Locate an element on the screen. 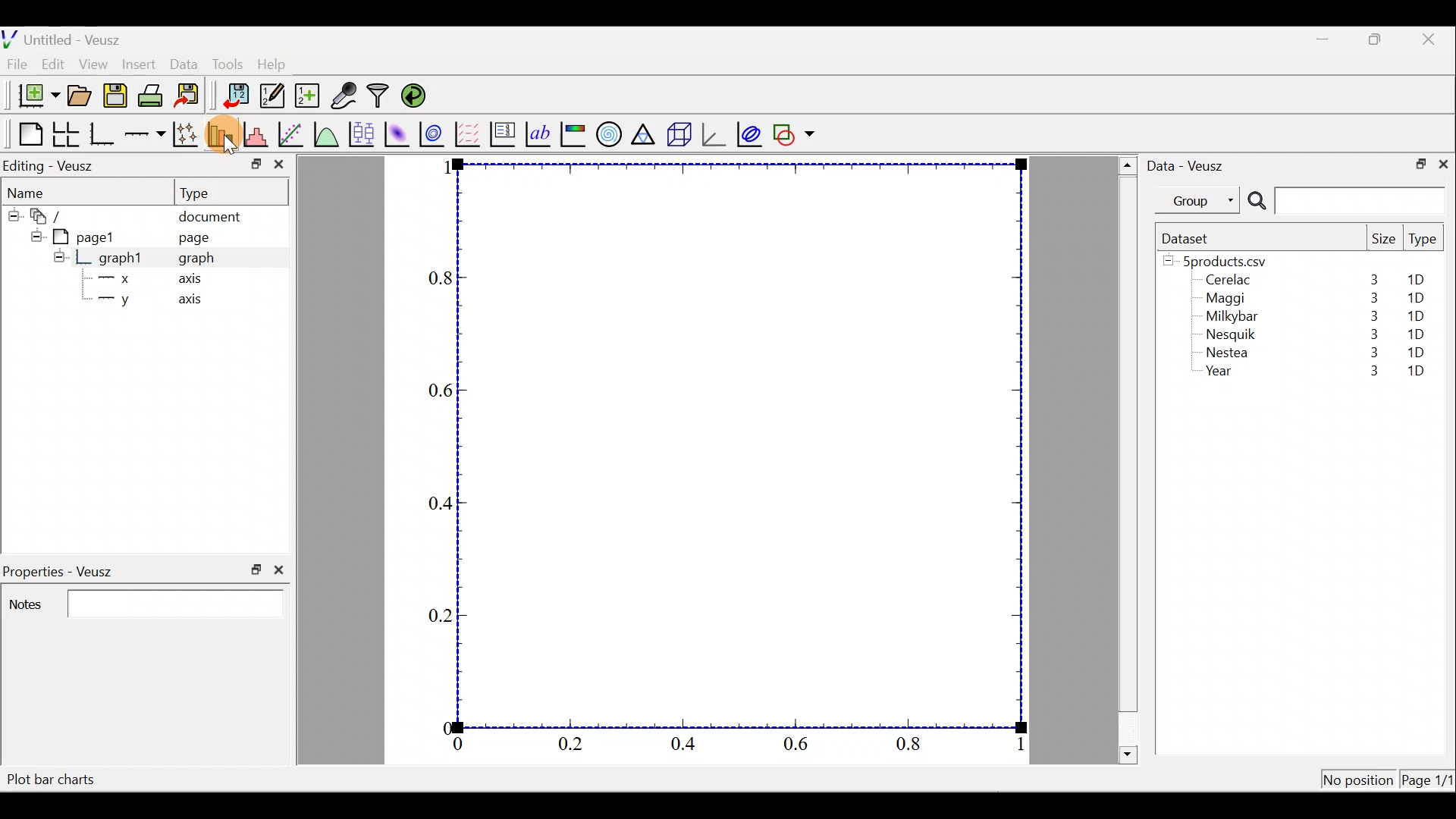 The image size is (1456, 819). axis is located at coordinates (195, 281).